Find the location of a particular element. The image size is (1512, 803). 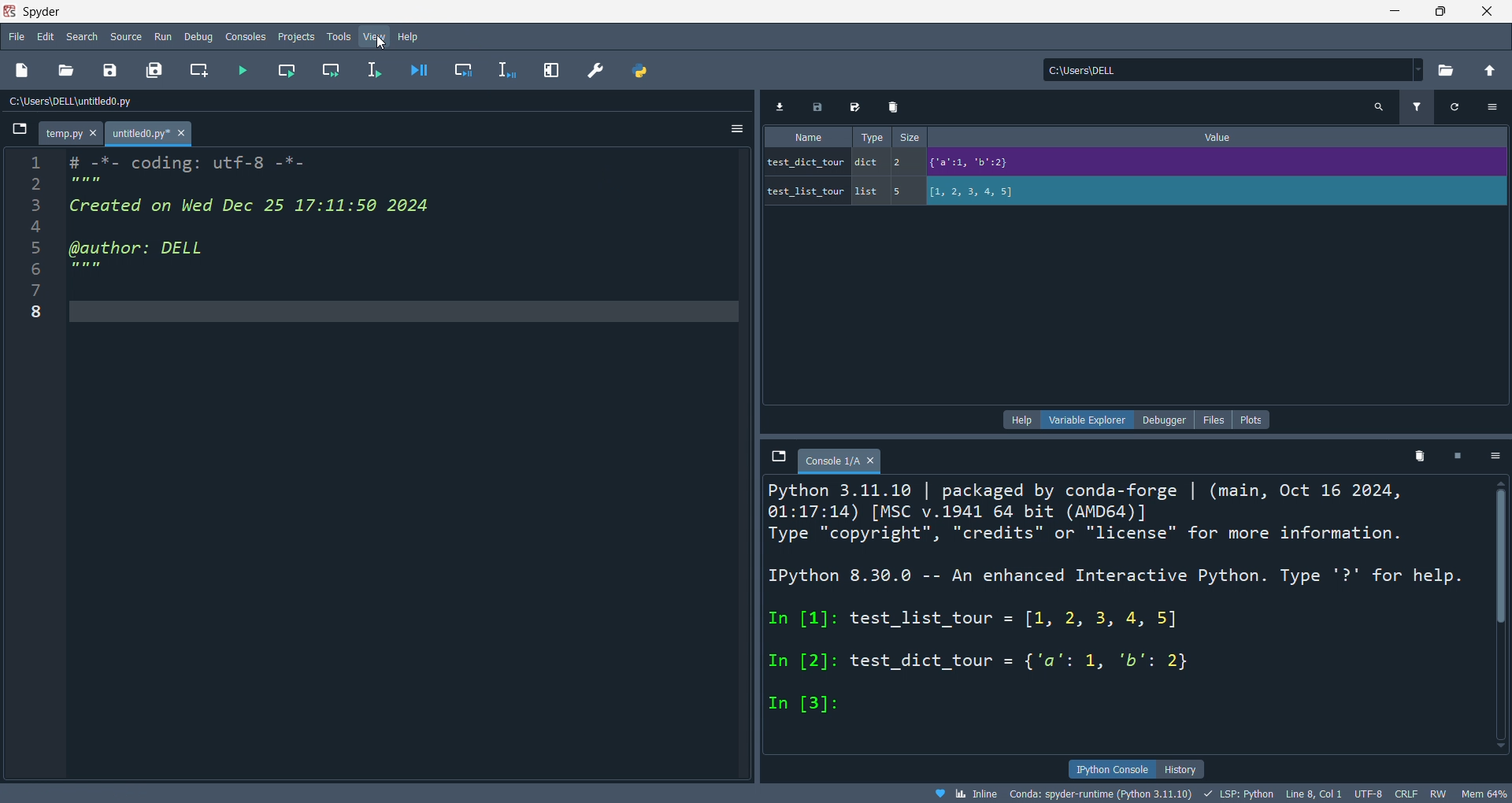

new file is located at coordinates (24, 71).